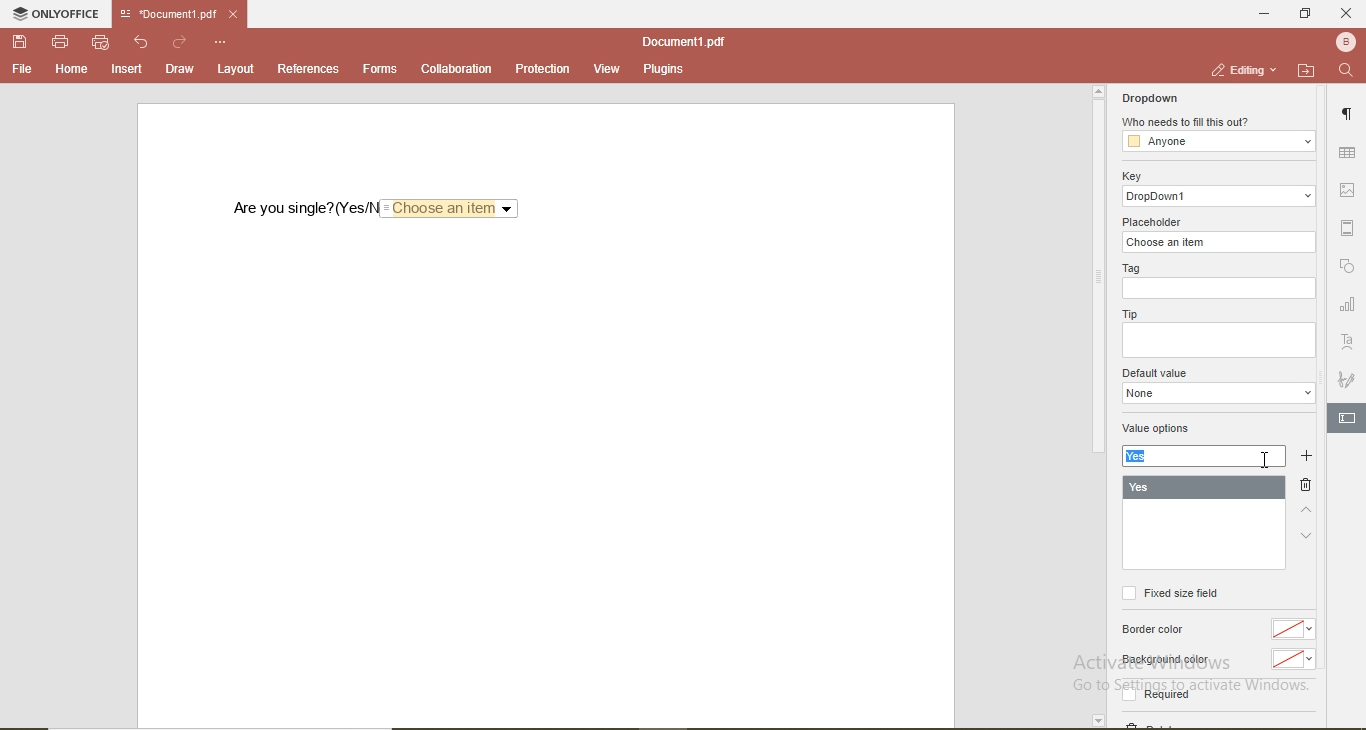  I want to click on are you single? (Yes/No), so click(304, 209).